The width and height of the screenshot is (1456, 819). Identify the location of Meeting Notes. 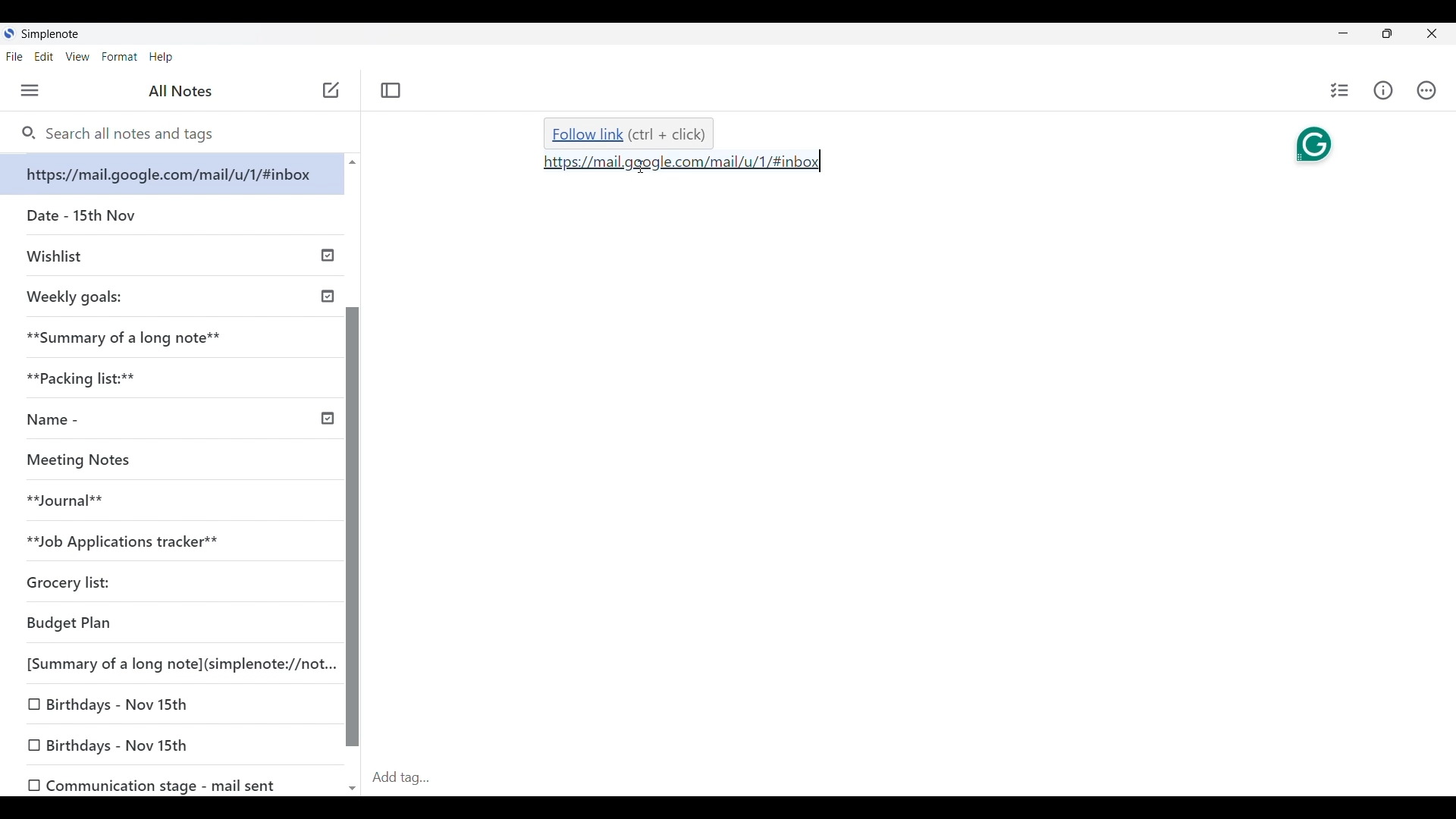
(83, 460).